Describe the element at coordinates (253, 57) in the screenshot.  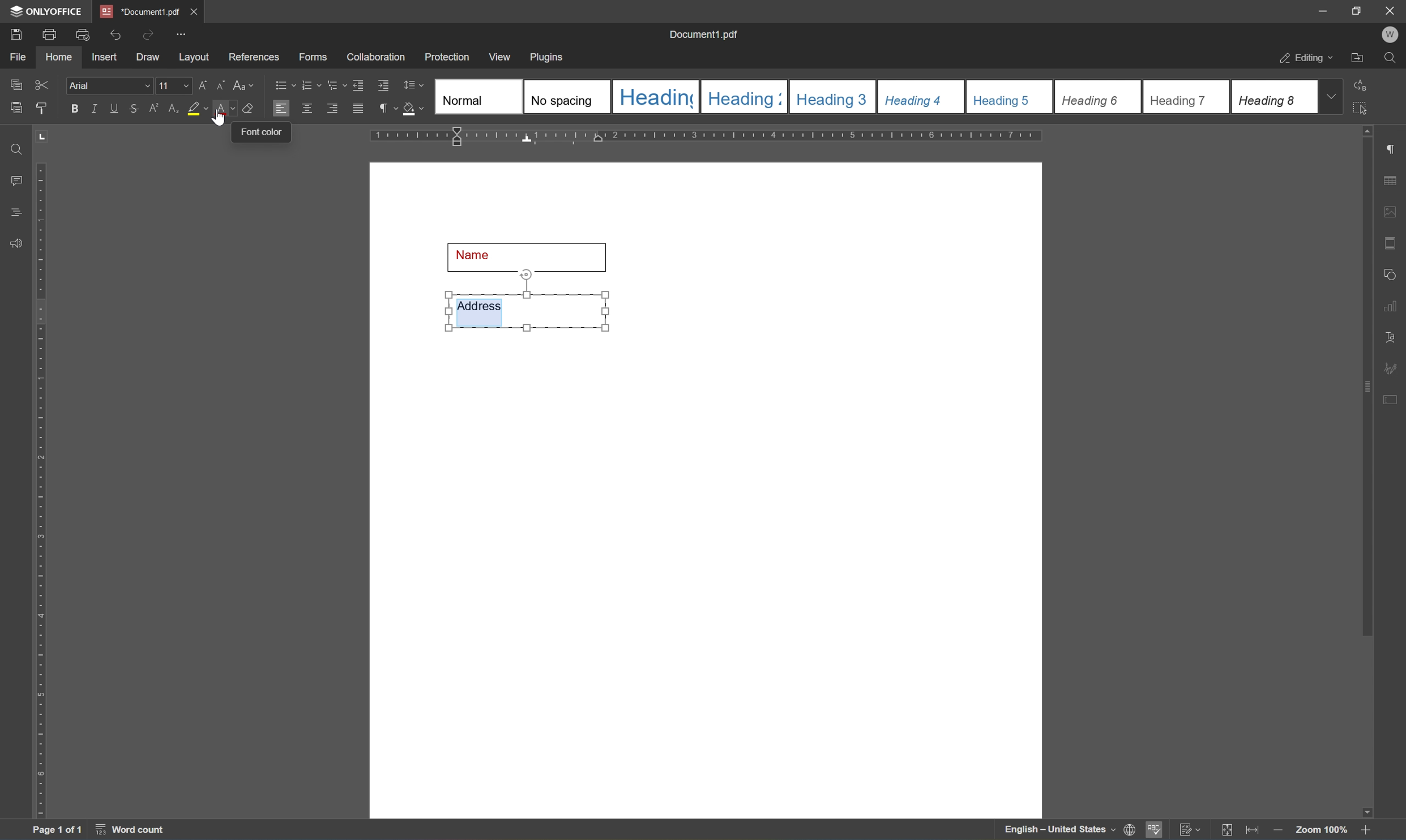
I see `references` at that location.